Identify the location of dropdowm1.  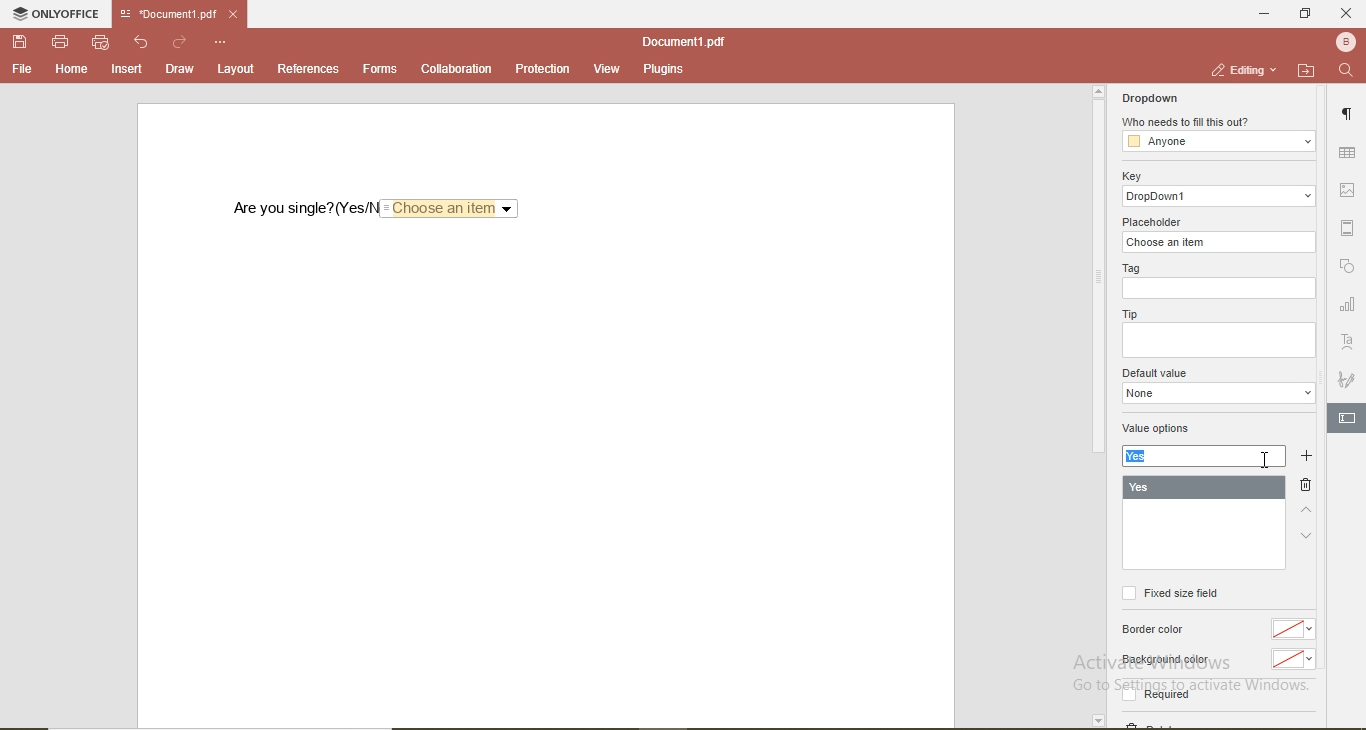
(1217, 196).